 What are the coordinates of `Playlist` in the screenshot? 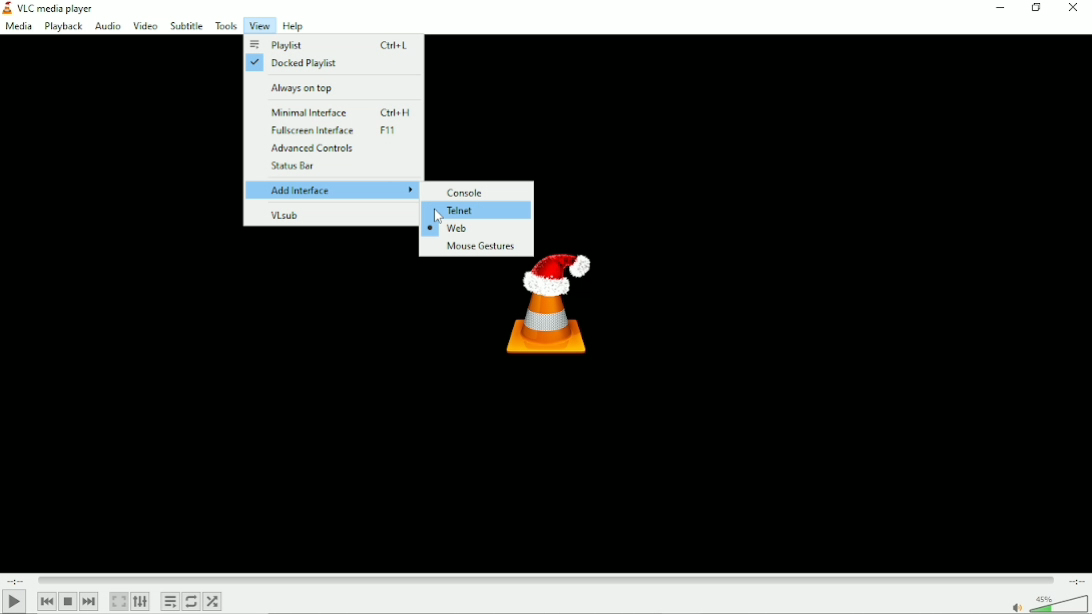 It's located at (330, 44).